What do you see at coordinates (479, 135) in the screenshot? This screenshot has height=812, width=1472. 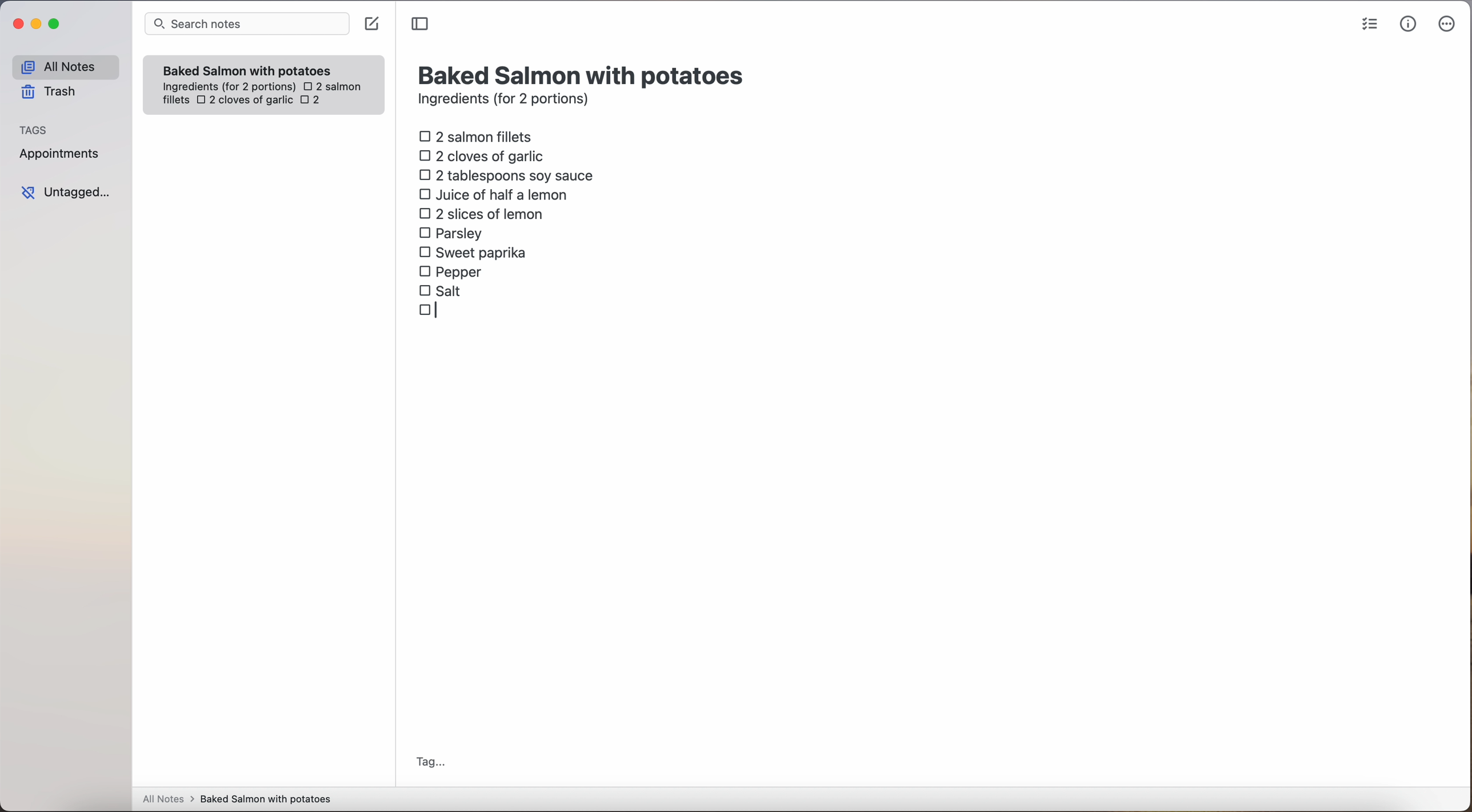 I see `2 salmon fillets` at bounding box center [479, 135].